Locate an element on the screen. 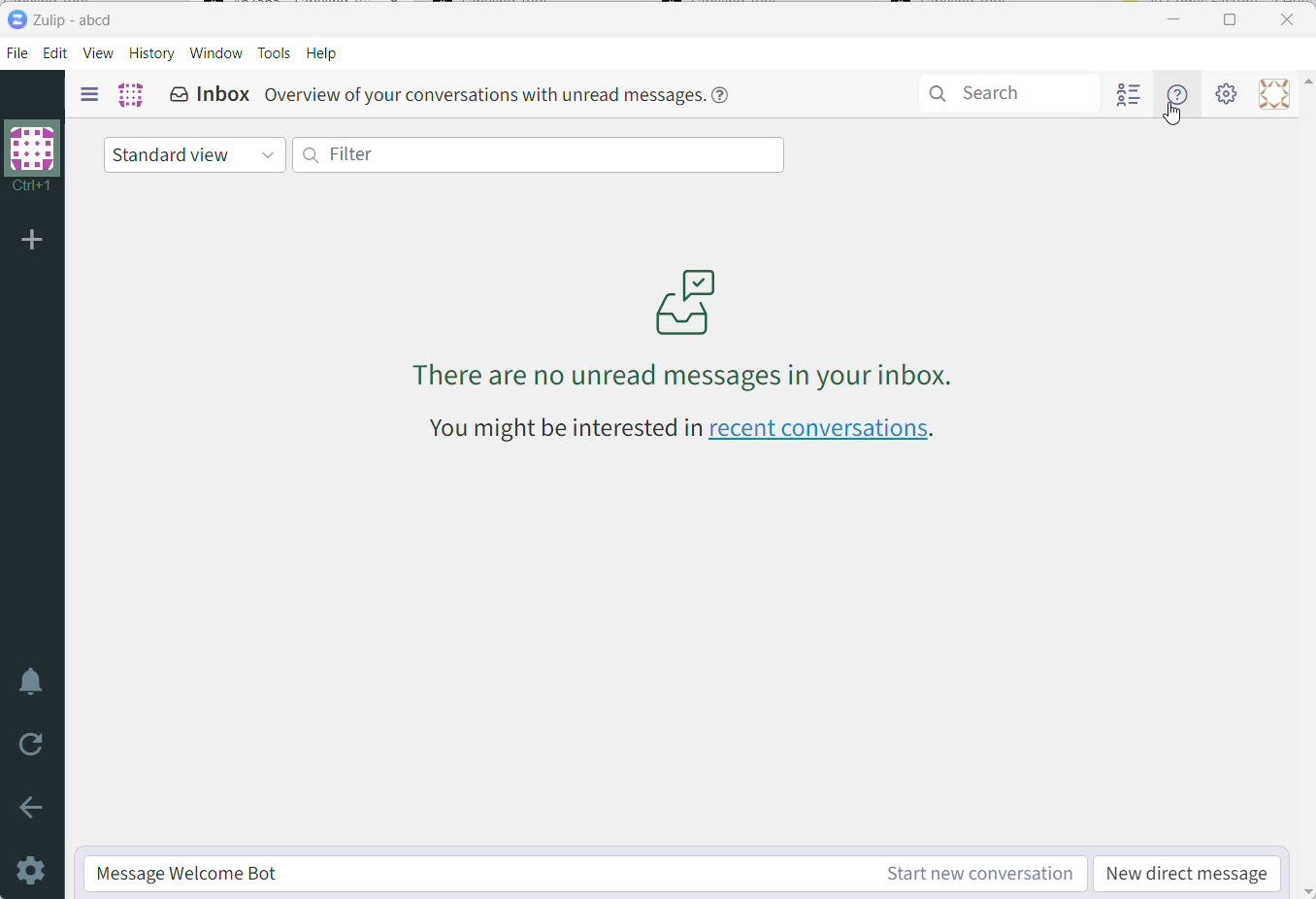 This screenshot has height=899, width=1316. You might be interested in recent conversations - Click link to view recent conversations is located at coordinates (678, 428).